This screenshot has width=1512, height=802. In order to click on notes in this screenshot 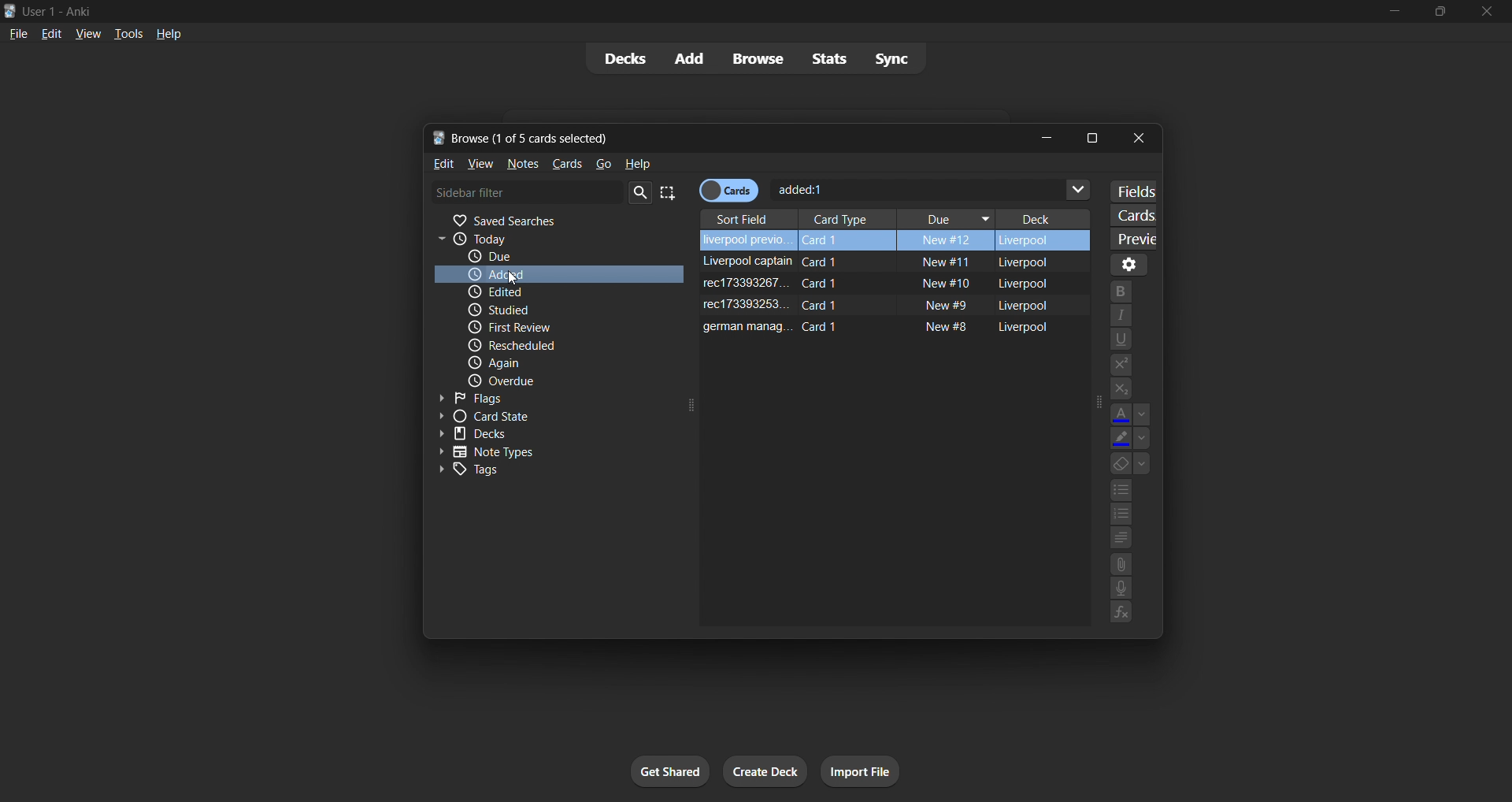, I will do `click(526, 163)`.